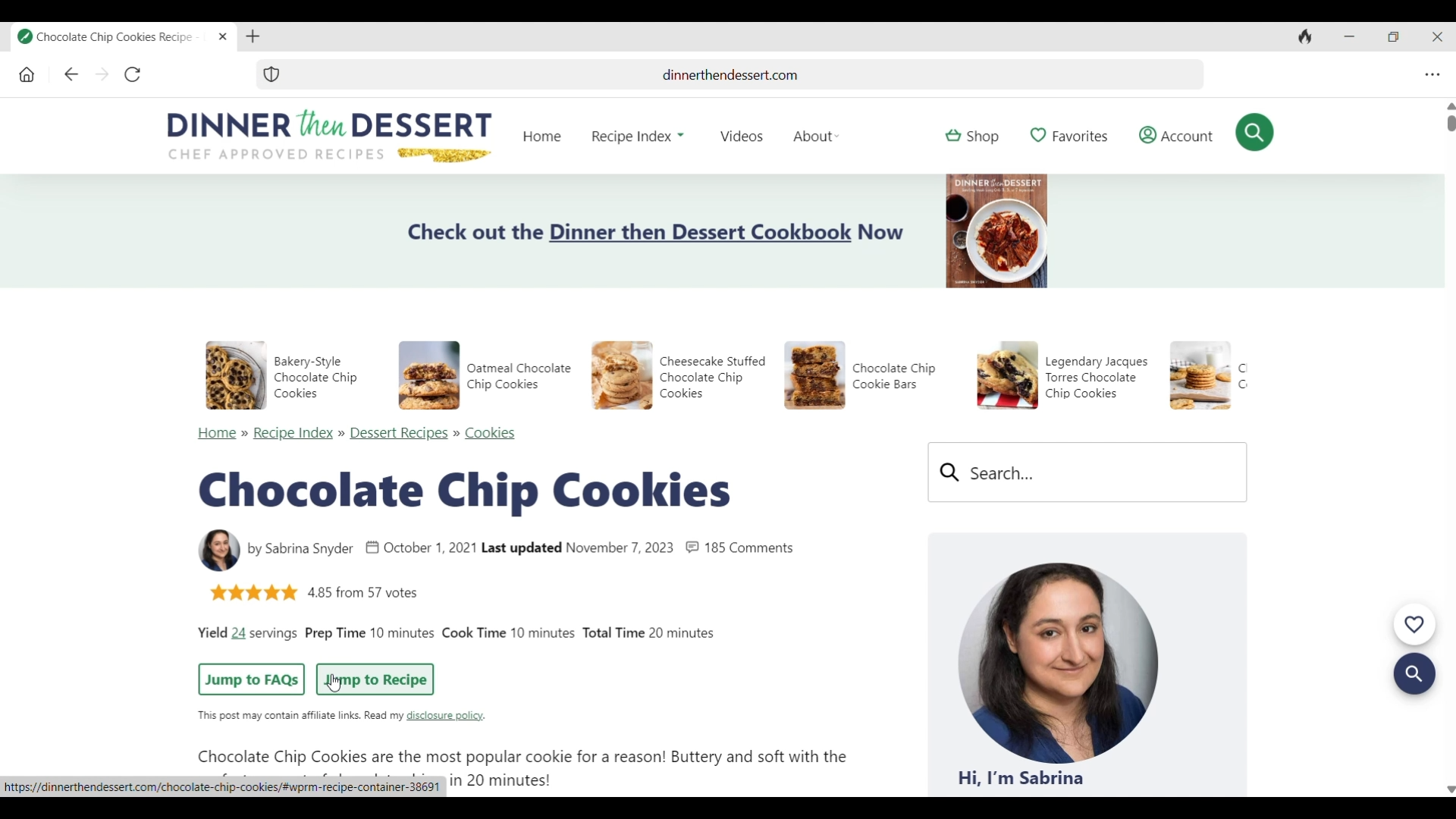  What do you see at coordinates (530, 549) in the screenshot?
I see `October 1, 2021 Last updated November 7, 2023` at bounding box center [530, 549].